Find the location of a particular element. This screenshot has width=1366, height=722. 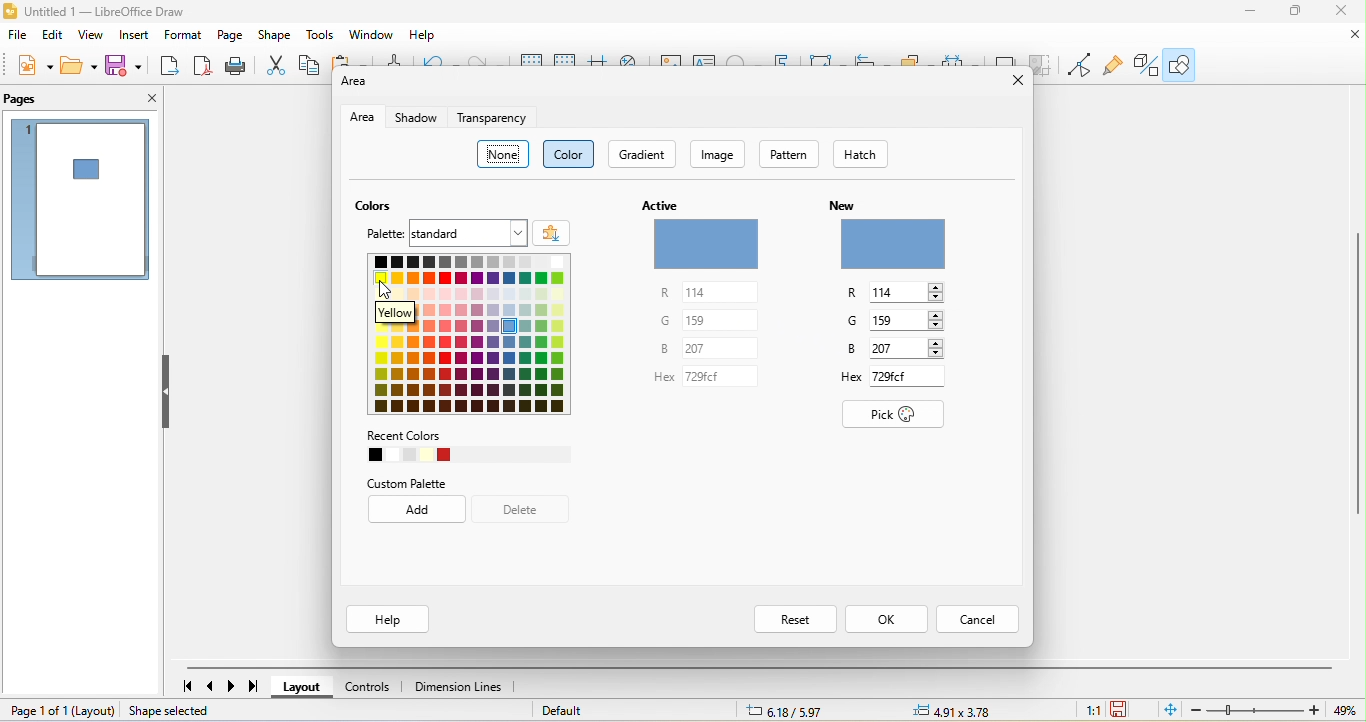

add color palette is located at coordinates (555, 230).